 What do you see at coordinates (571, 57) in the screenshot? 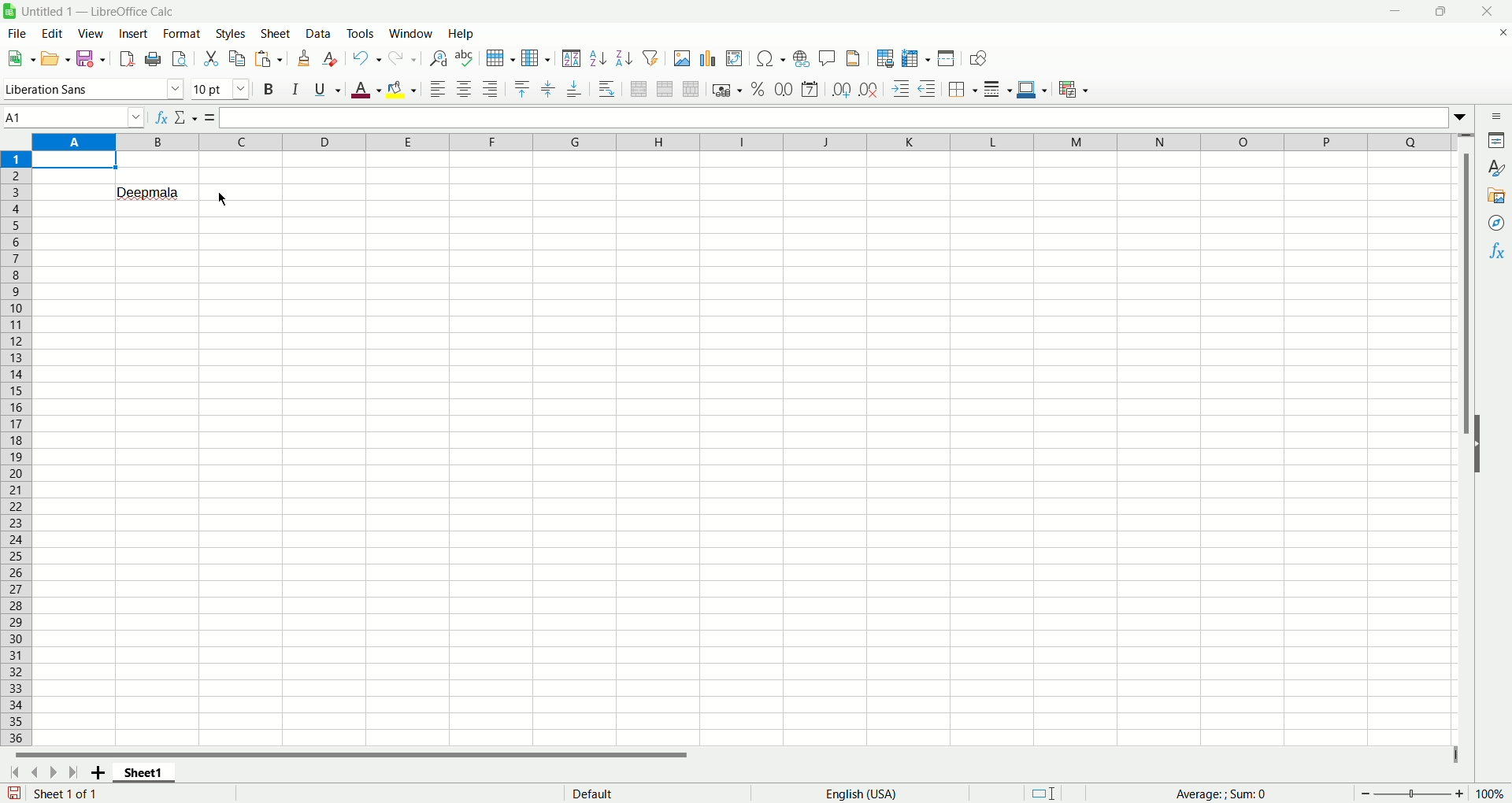
I see `Sort` at bounding box center [571, 57].